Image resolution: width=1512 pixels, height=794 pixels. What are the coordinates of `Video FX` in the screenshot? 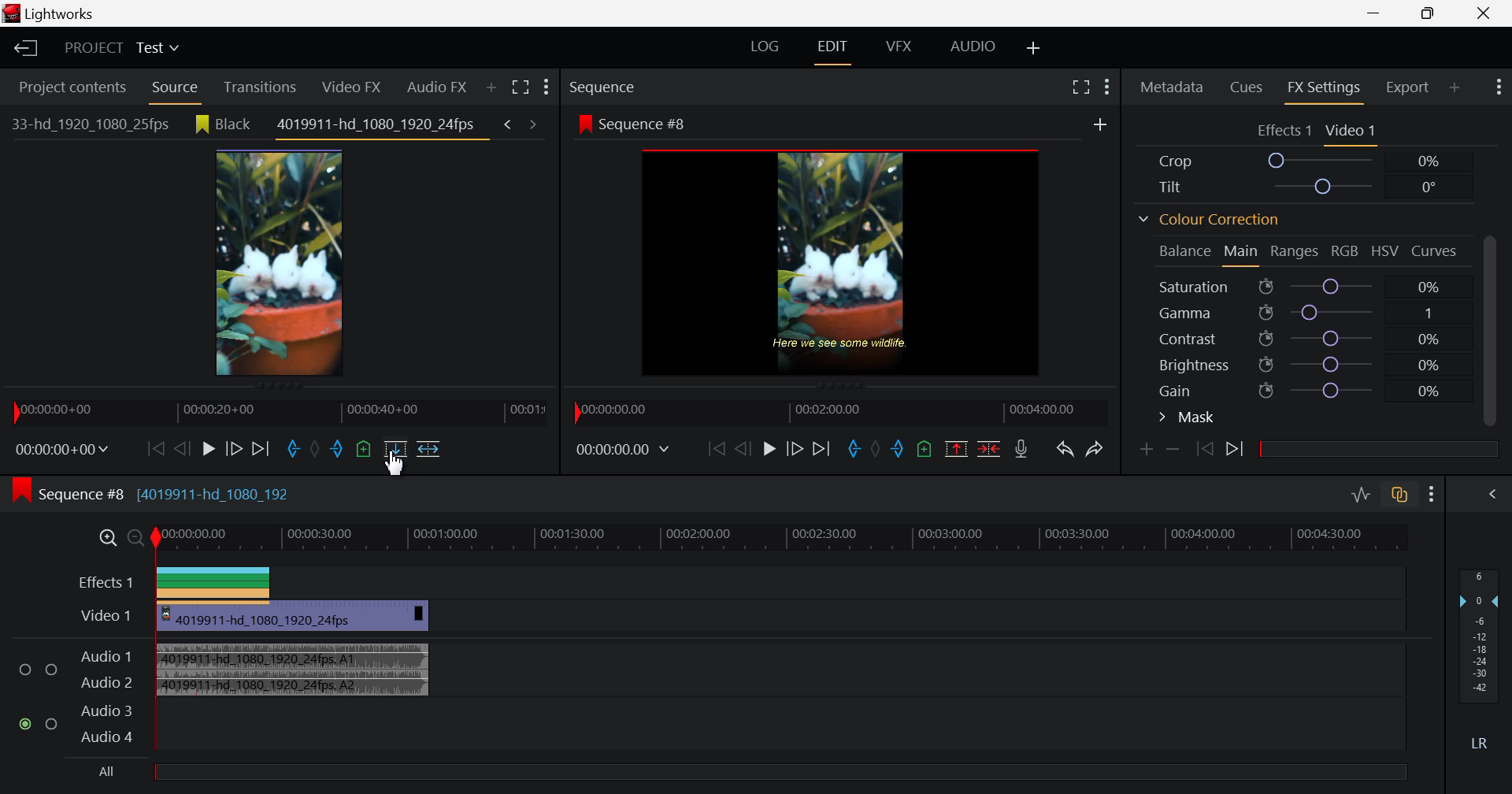 It's located at (350, 87).